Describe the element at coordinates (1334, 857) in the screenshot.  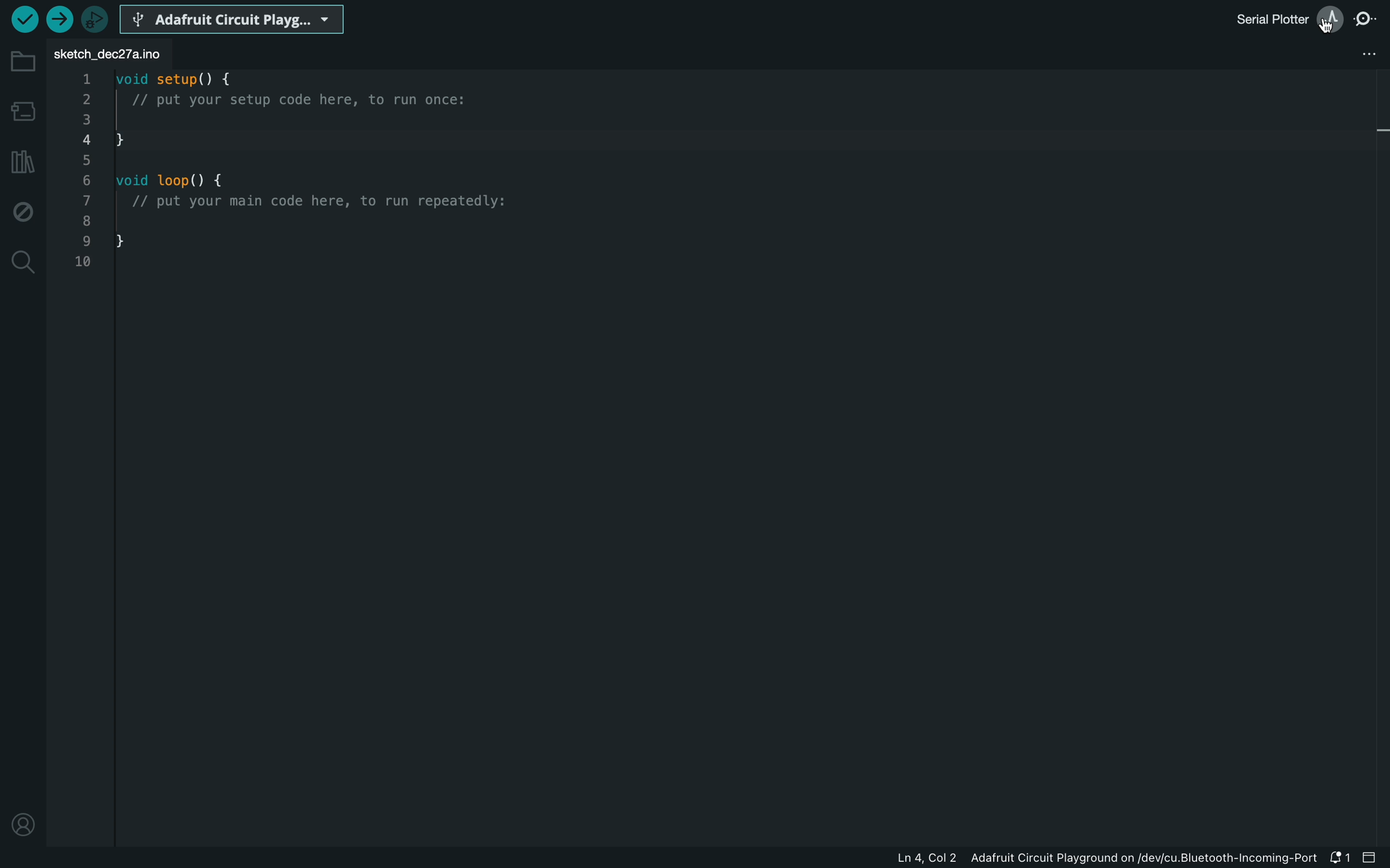
I see `notification` at that location.